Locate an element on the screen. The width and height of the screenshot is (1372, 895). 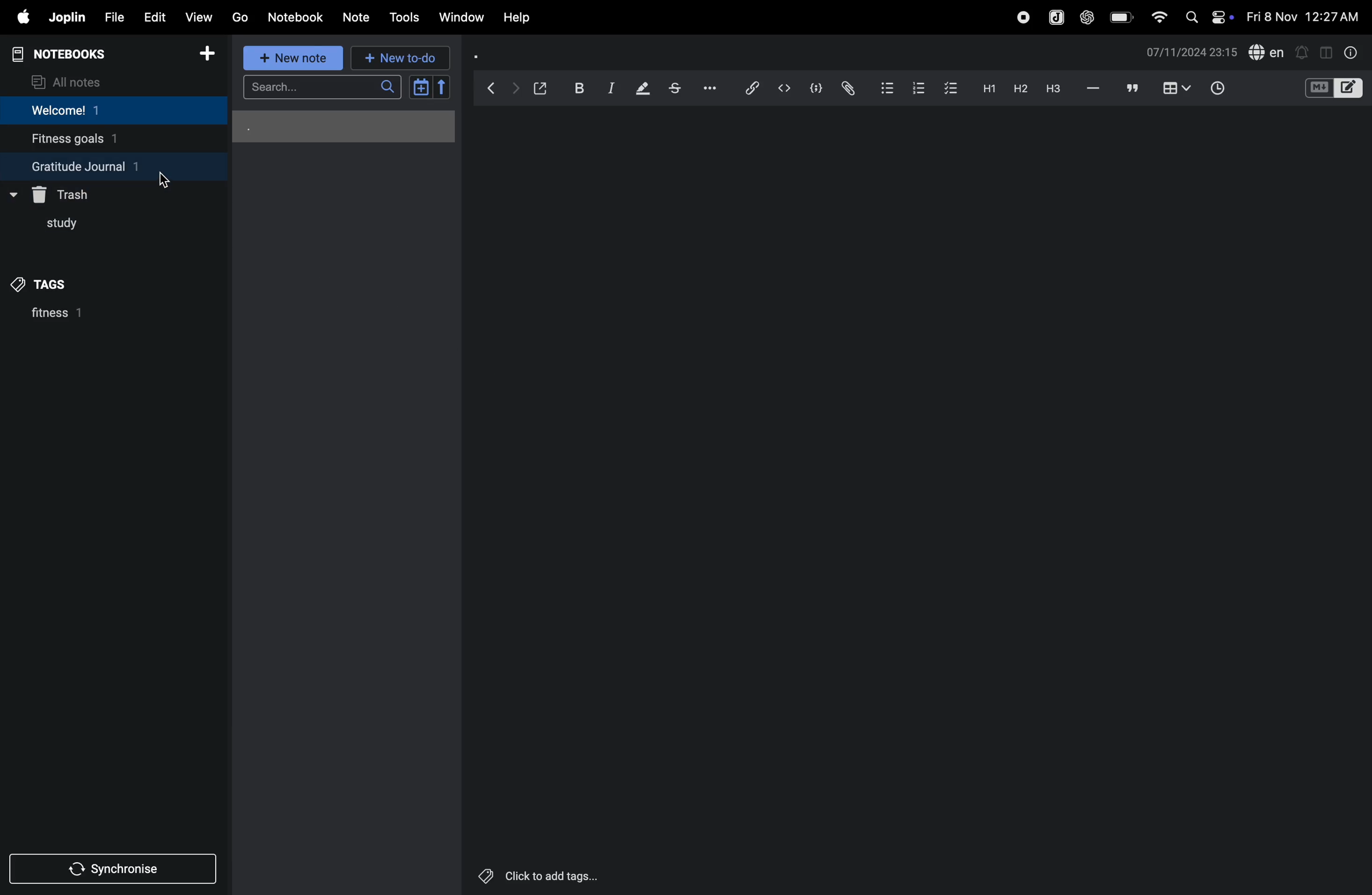
fitness 1 is located at coordinates (85, 317).